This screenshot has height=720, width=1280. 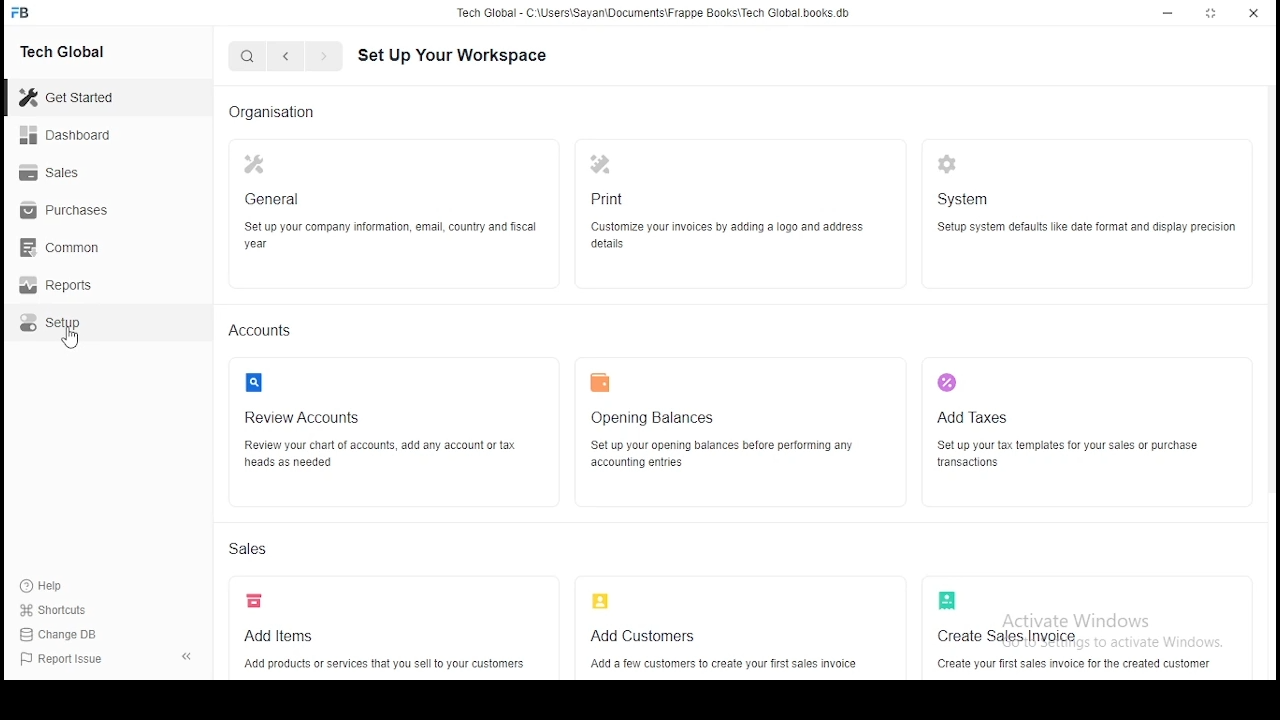 What do you see at coordinates (192, 659) in the screenshot?
I see `hide sidebar` at bounding box center [192, 659].